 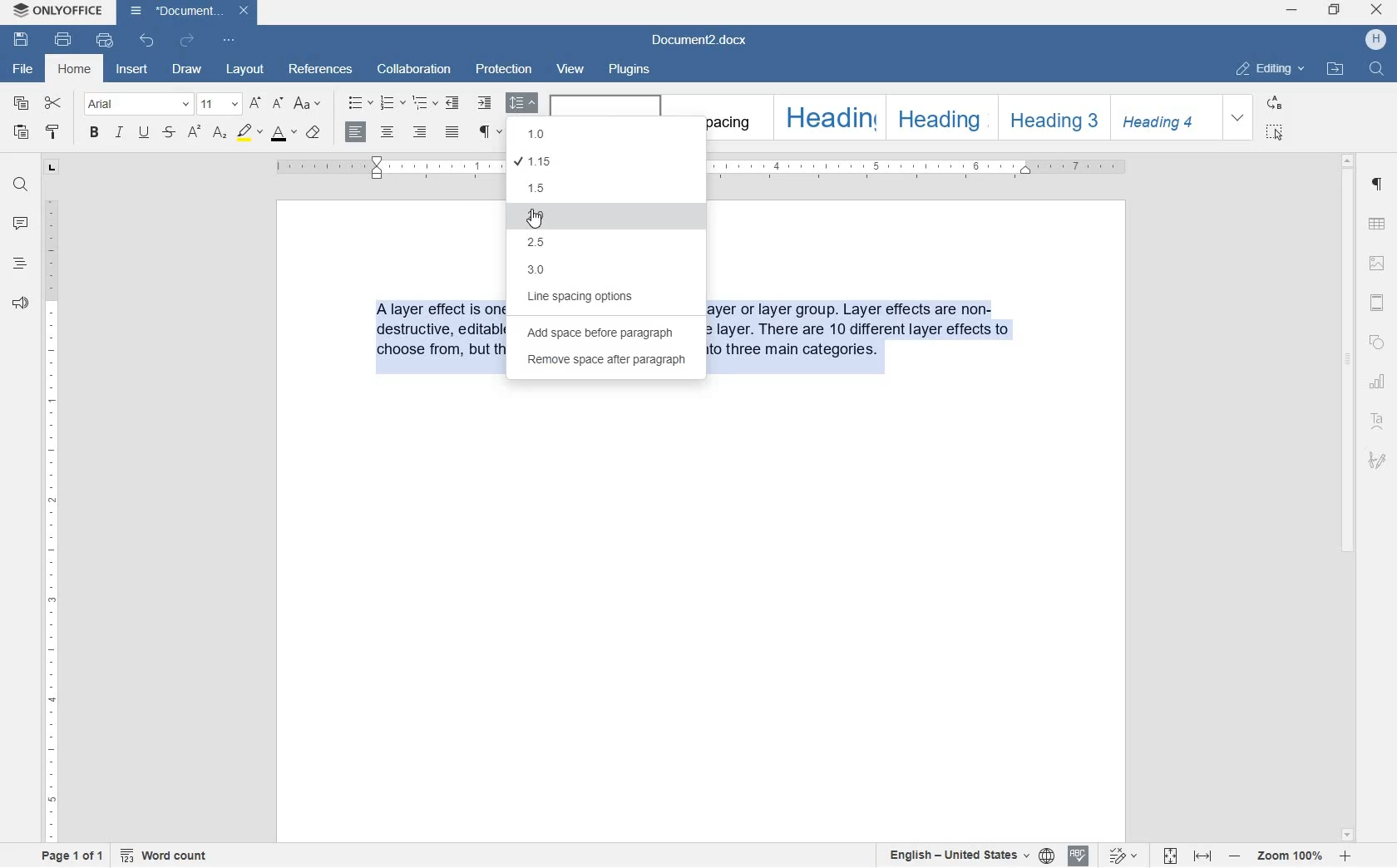 What do you see at coordinates (540, 161) in the screenshot?
I see `1.15` at bounding box center [540, 161].